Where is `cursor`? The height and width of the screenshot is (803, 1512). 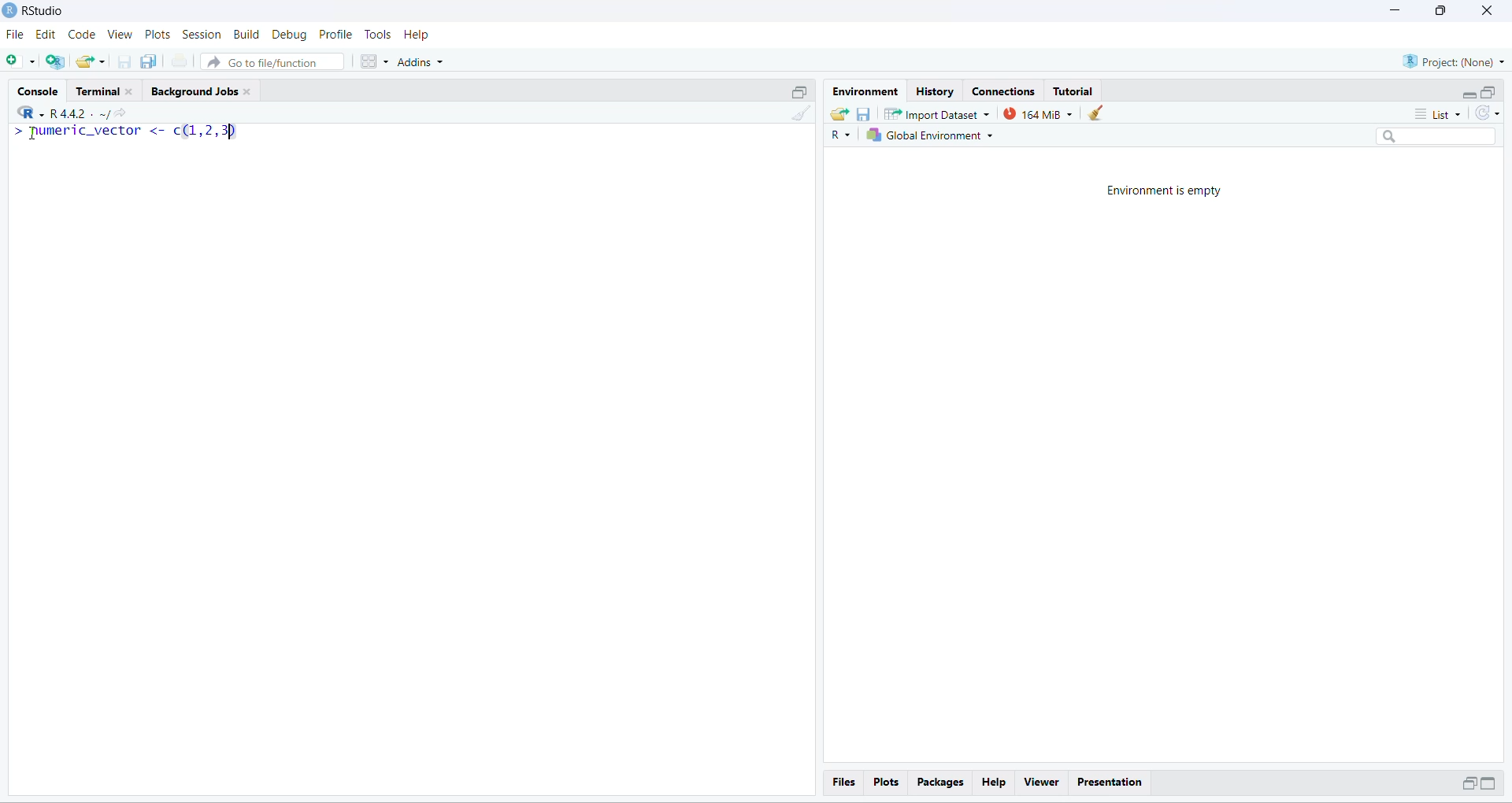 cursor is located at coordinates (31, 133).